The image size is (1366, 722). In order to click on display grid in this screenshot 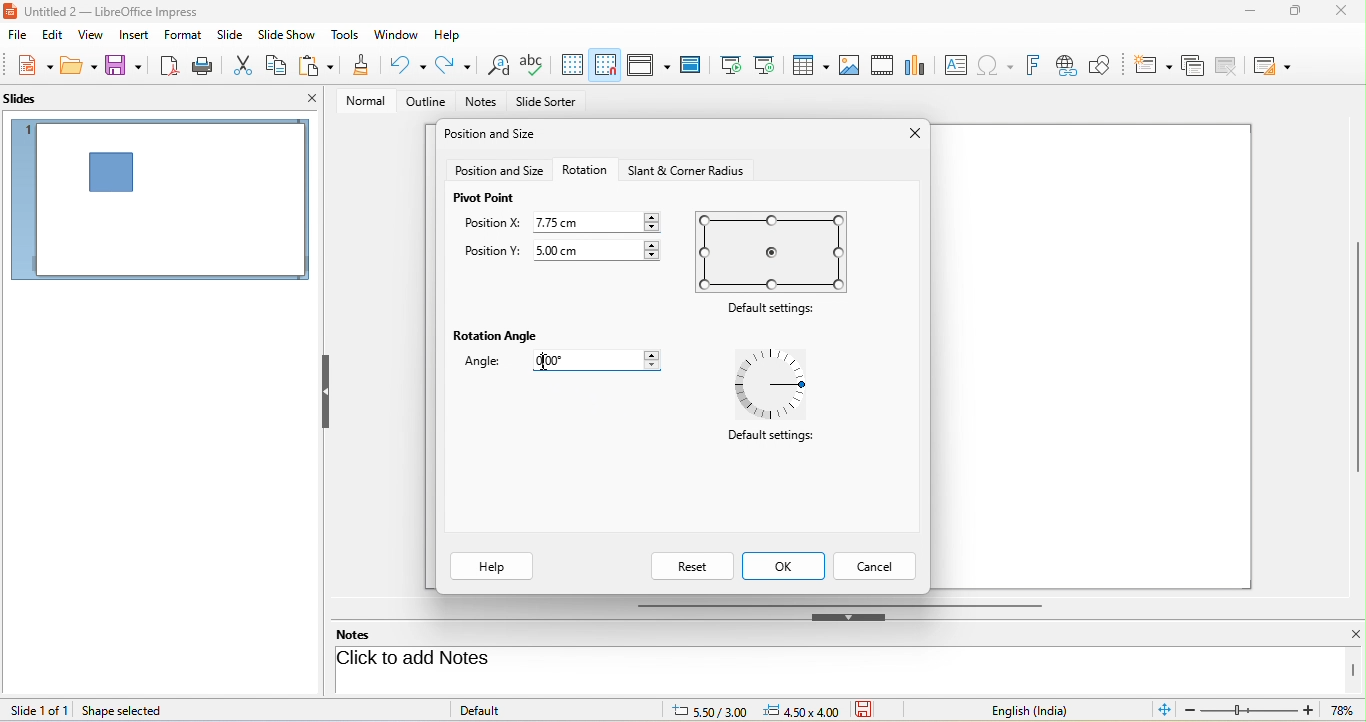, I will do `click(572, 65)`.